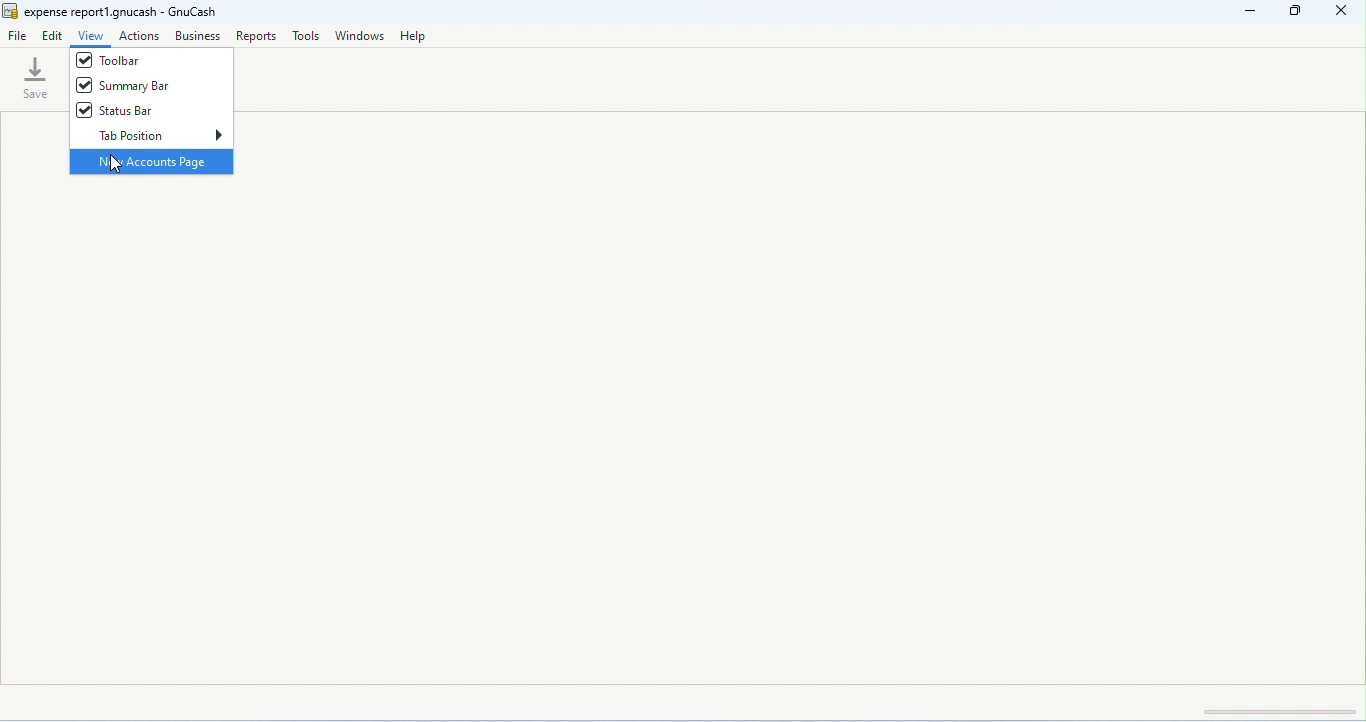 Image resolution: width=1366 pixels, height=722 pixels. Describe the element at coordinates (257, 36) in the screenshot. I see `reports` at that location.